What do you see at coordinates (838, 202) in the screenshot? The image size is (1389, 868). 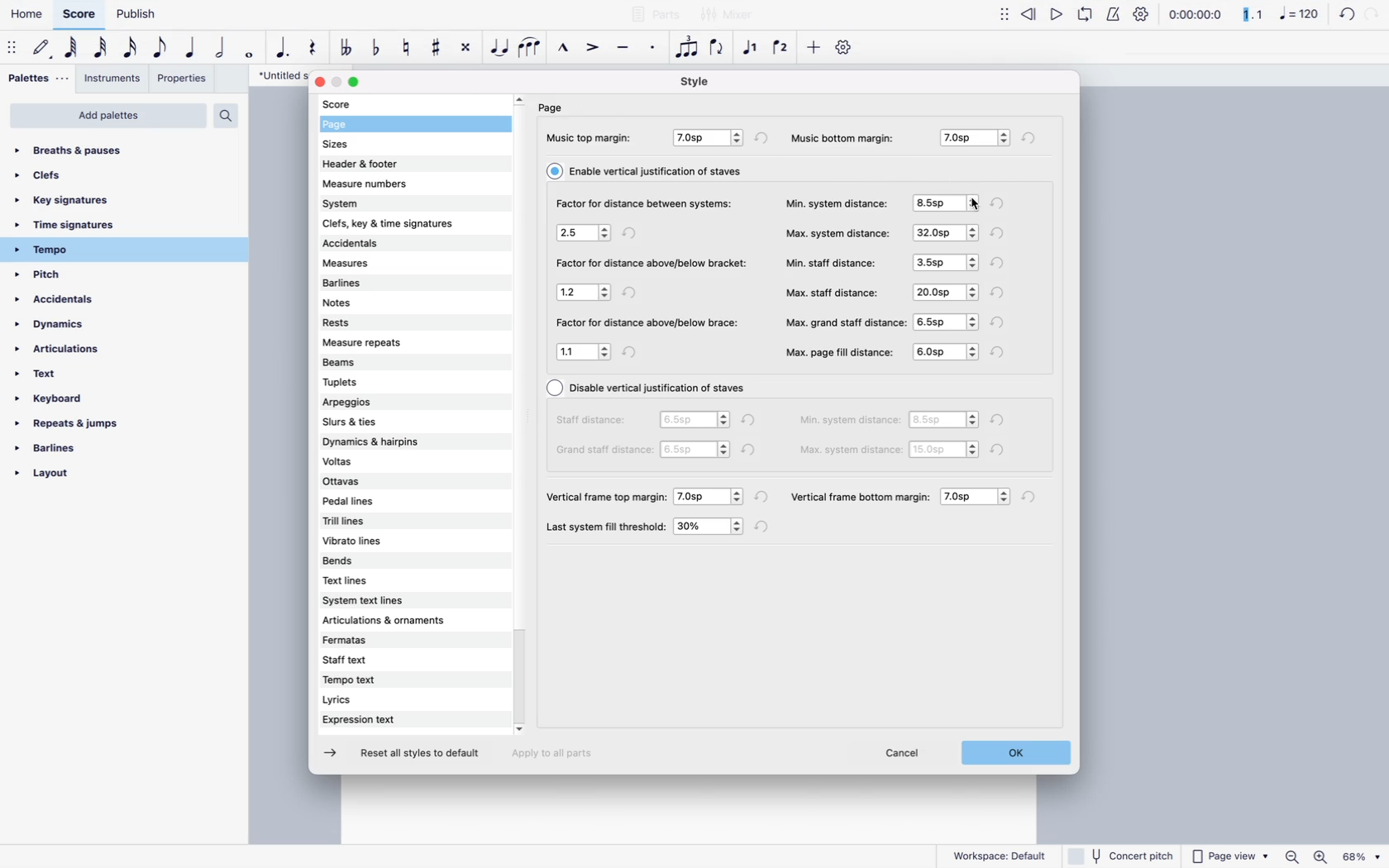 I see `myn system distance` at bounding box center [838, 202].